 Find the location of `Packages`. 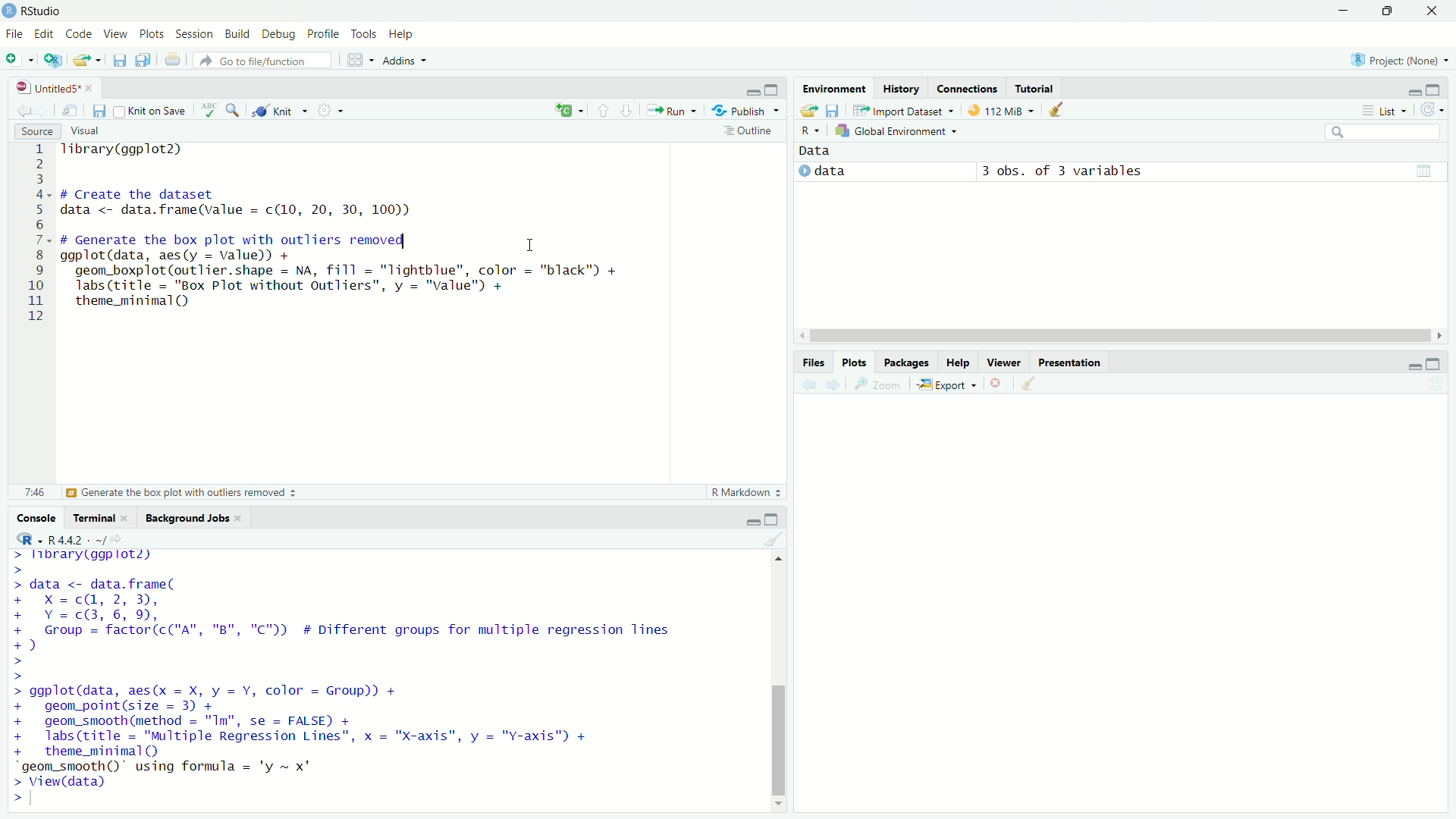

Packages is located at coordinates (904, 362).